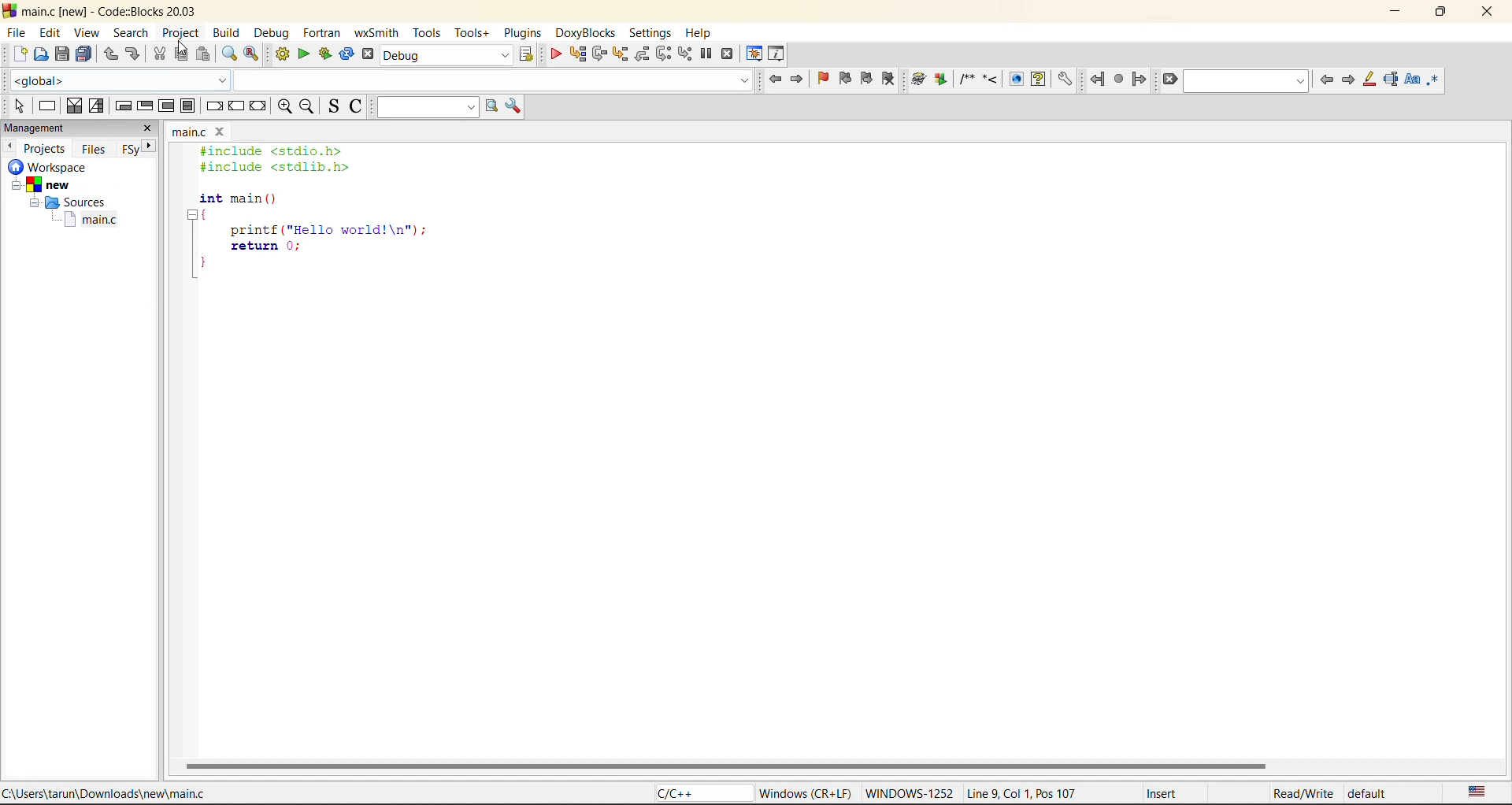 This screenshot has height=805, width=1512. What do you see at coordinates (1437, 79) in the screenshot?
I see `use regex` at bounding box center [1437, 79].